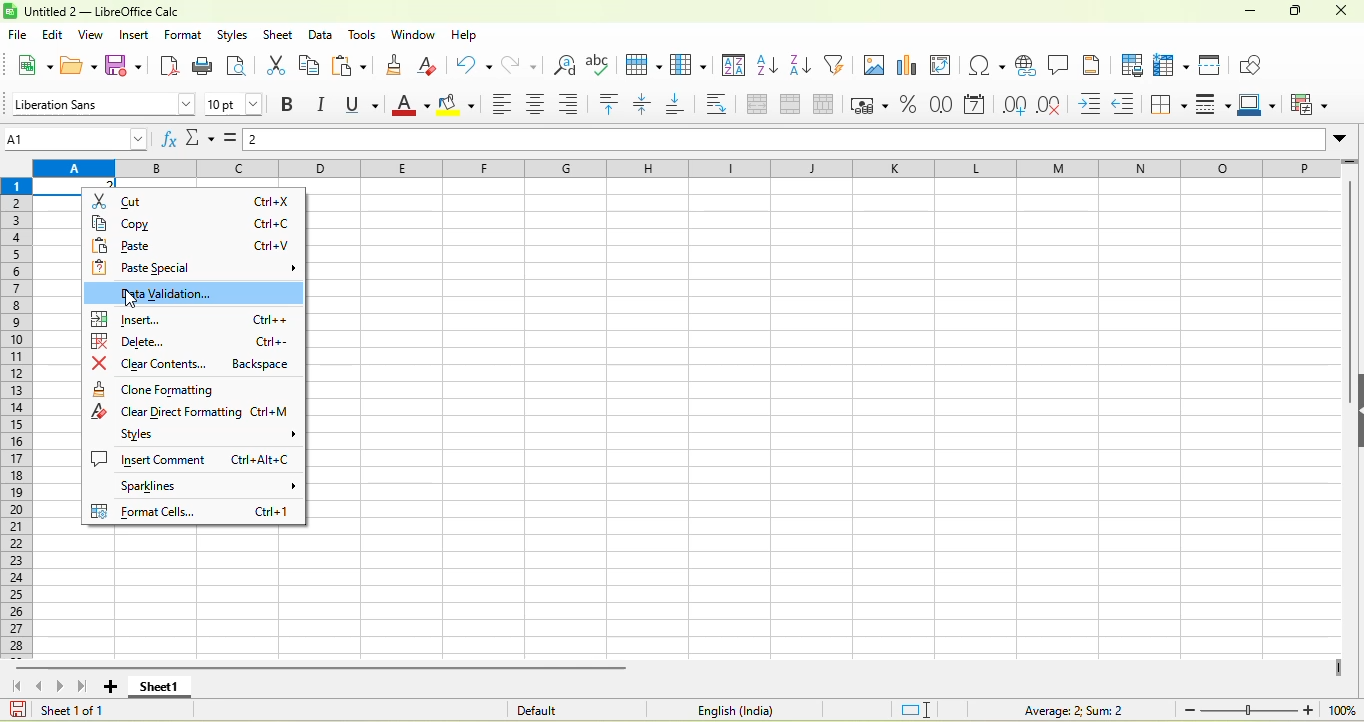 Image resolution: width=1364 pixels, height=722 pixels. Describe the element at coordinates (734, 68) in the screenshot. I see `sort` at that location.